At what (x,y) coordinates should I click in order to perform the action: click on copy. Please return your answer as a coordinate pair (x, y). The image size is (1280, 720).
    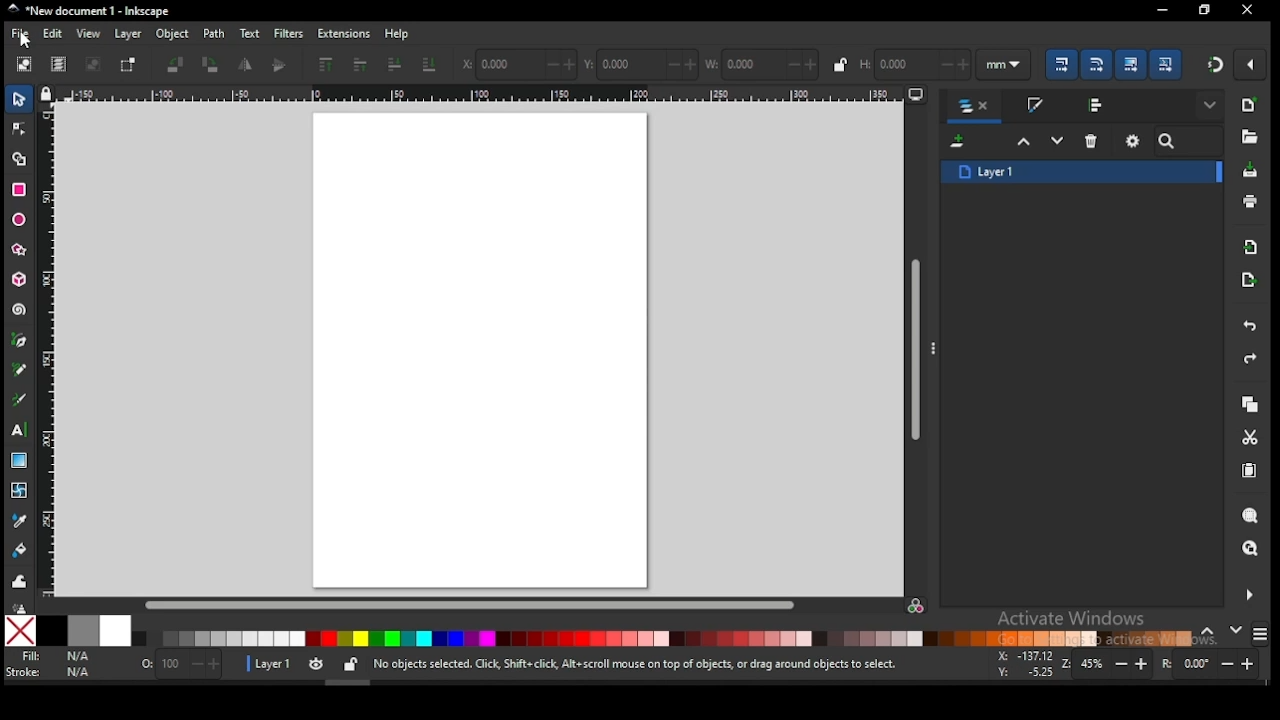
    Looking at the image, I should click on (1249, 405).